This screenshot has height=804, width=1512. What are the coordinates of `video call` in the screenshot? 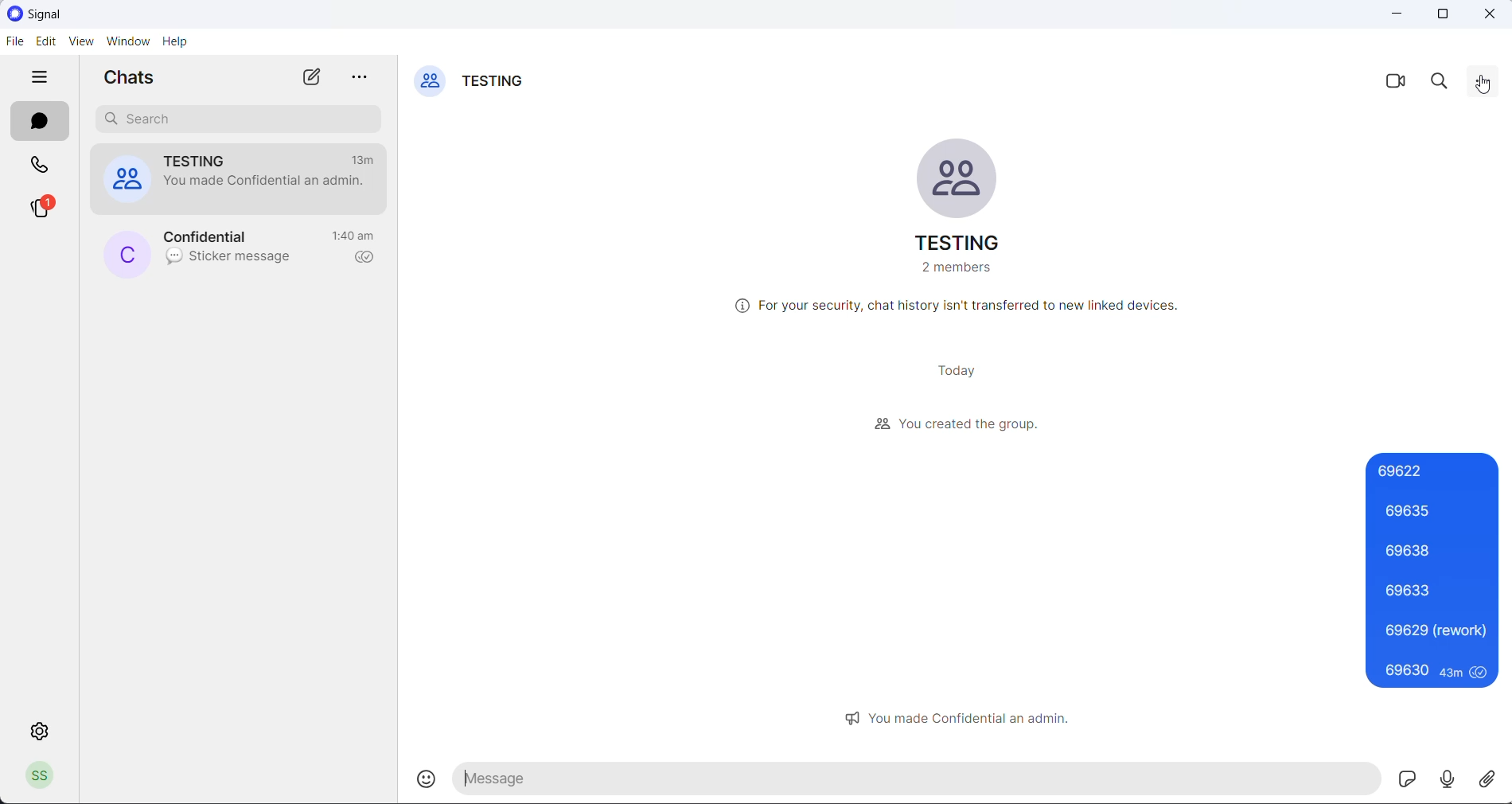 It's located at (1393, 84).